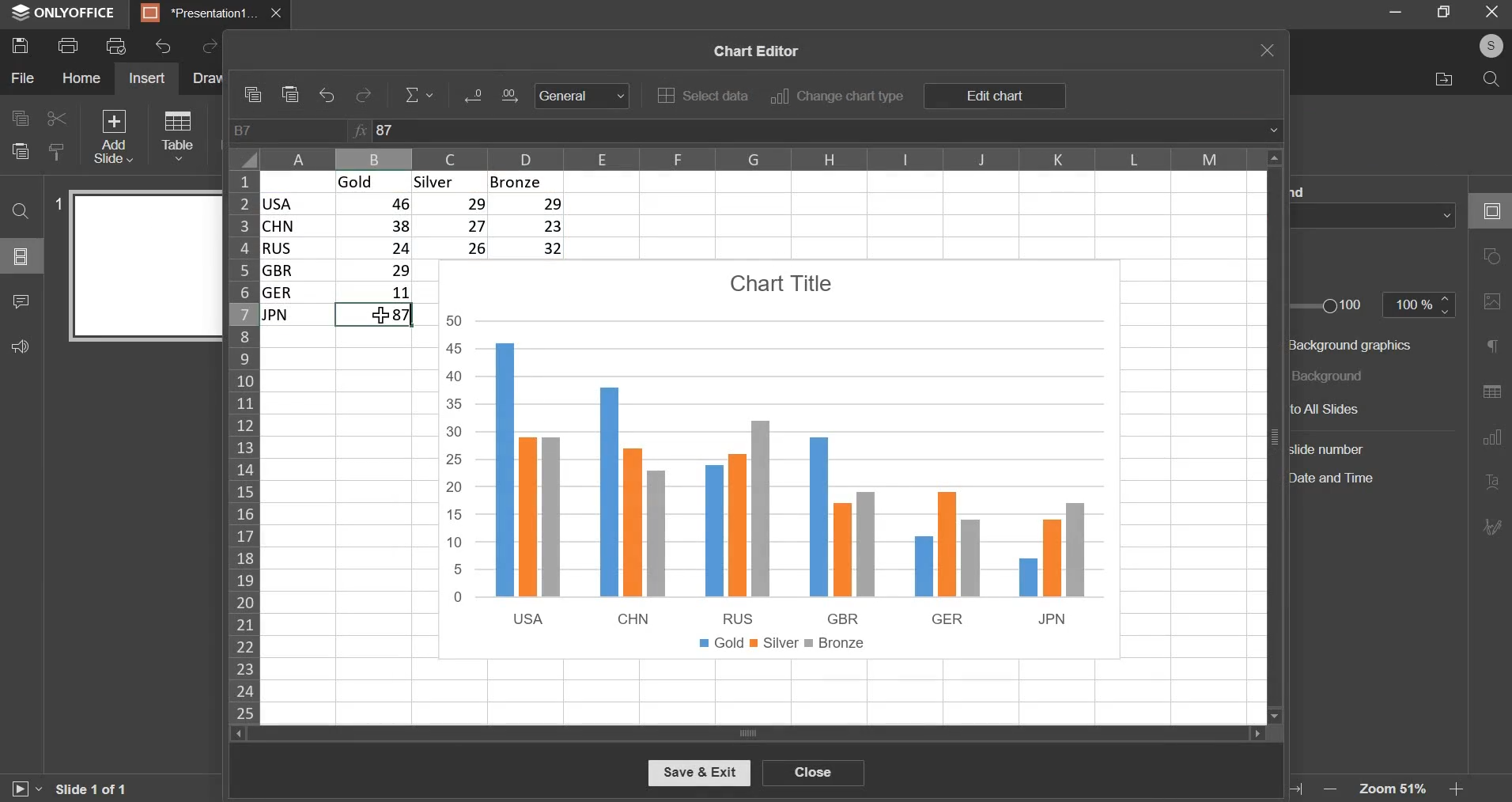 The width and height of the screenshot is (1512, 802). Describe the element at coordinates (530, 203) in the screenshot. I see `29` at that location.